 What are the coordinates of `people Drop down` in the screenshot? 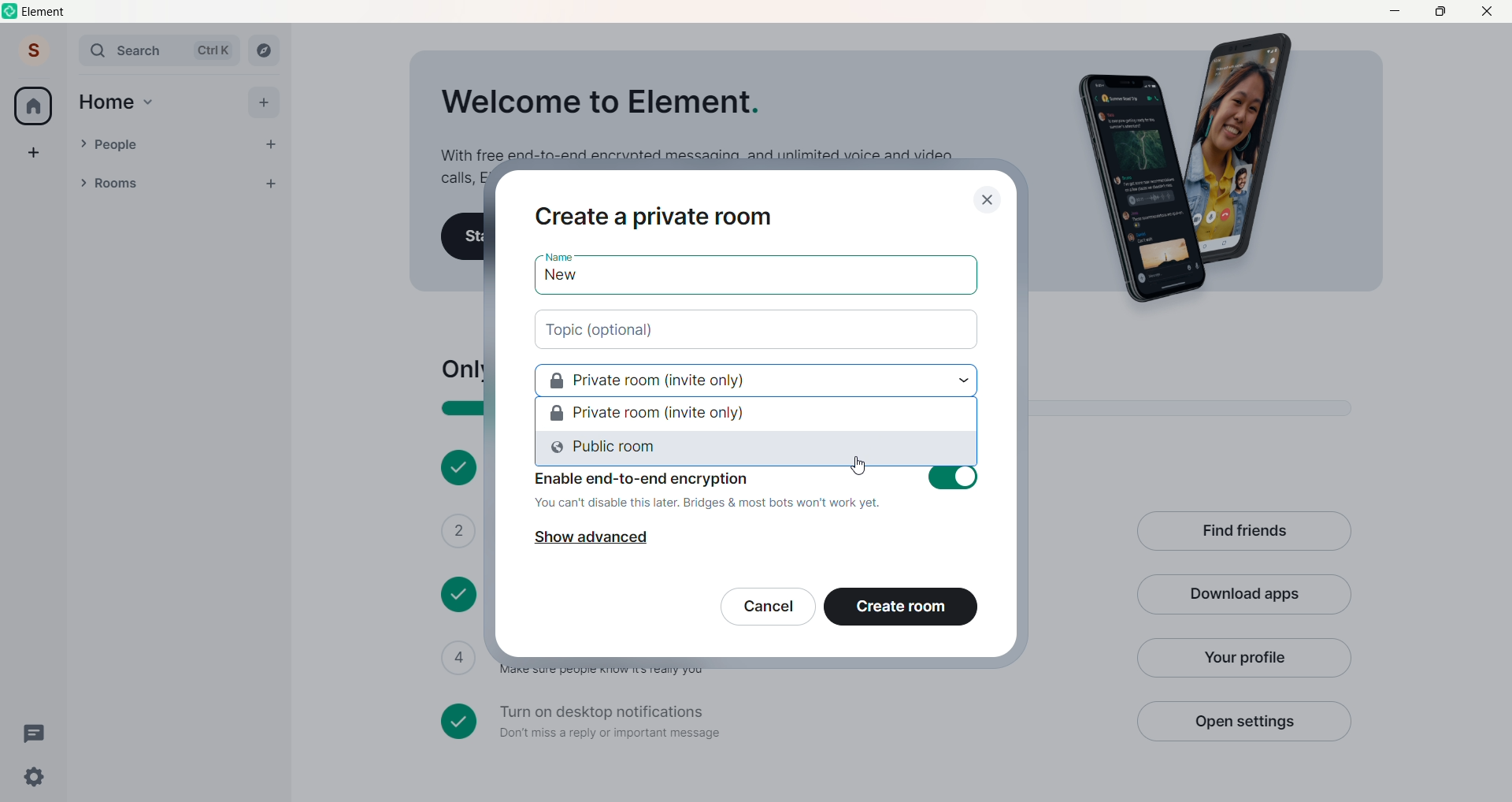 It's located at (83, 143).